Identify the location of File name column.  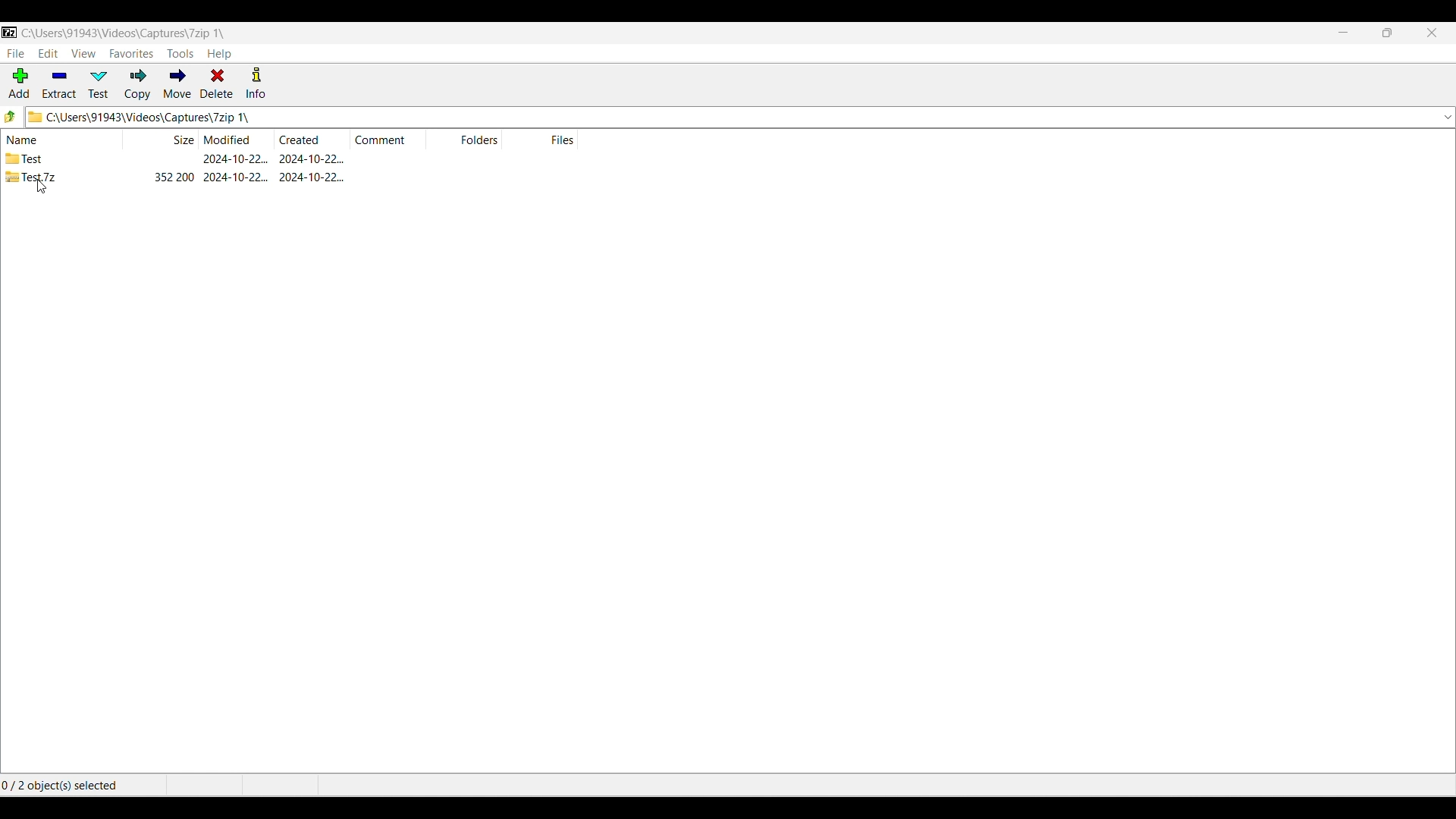
(60, 139).